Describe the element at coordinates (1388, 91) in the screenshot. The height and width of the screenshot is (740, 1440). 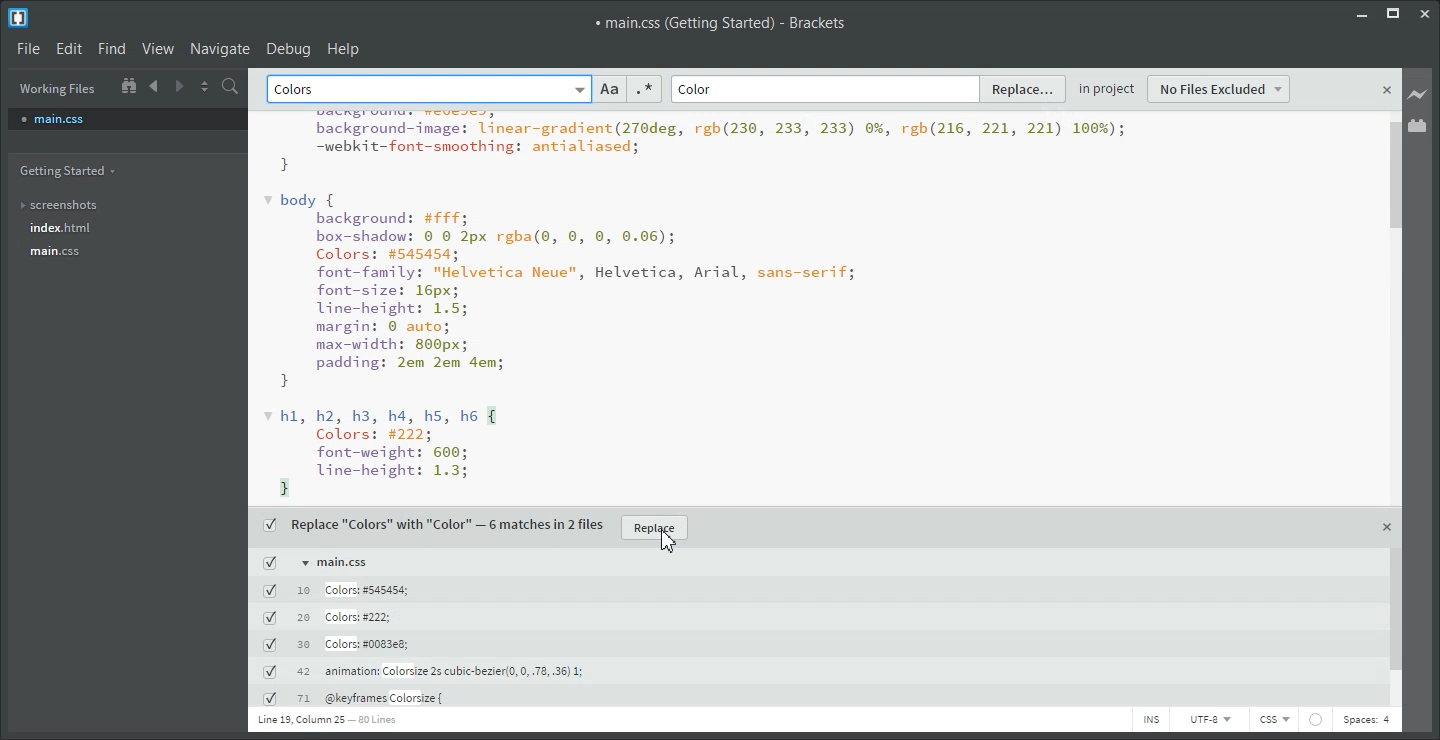
I see `Close` at that location.